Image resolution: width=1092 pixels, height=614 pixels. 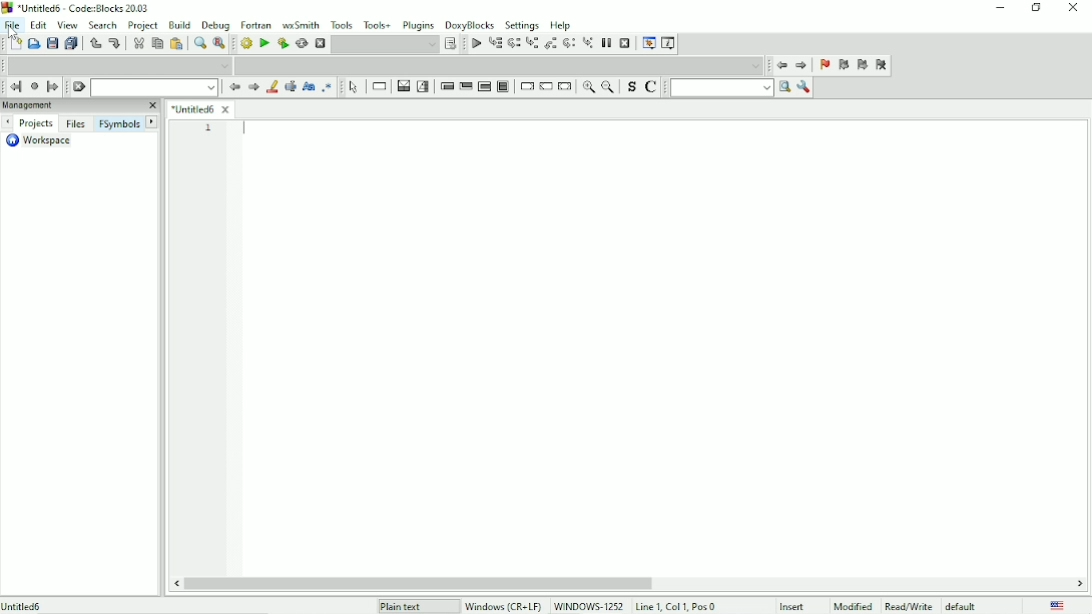 What do you see at coordinates (180, 24) in the screenshot?
I see `Build` at bounding box center [180, 24].